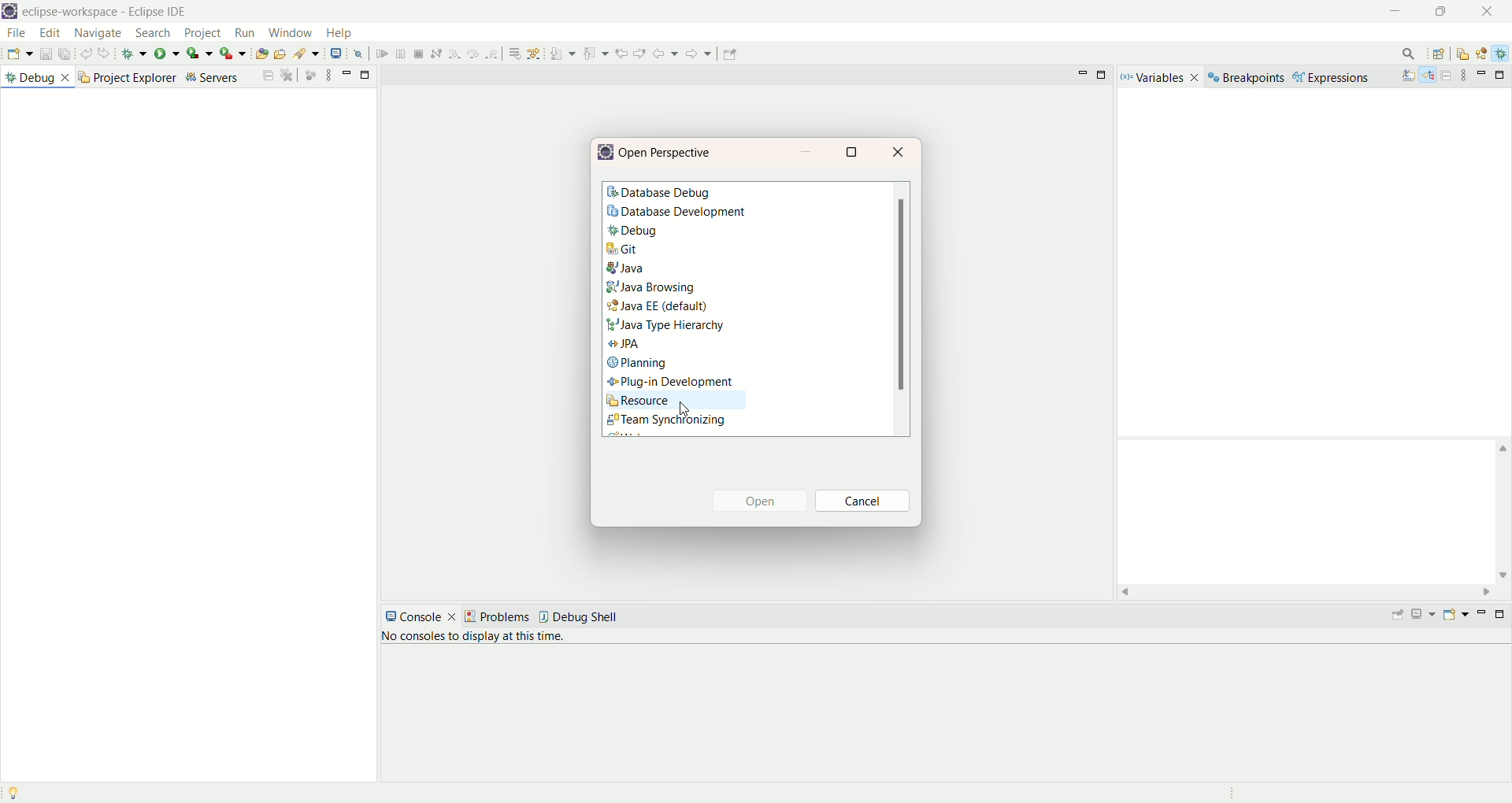  What do you see at coordinates (1503, 54) in the screenshot?
I see `debug` at bounding box center [1503, 54].